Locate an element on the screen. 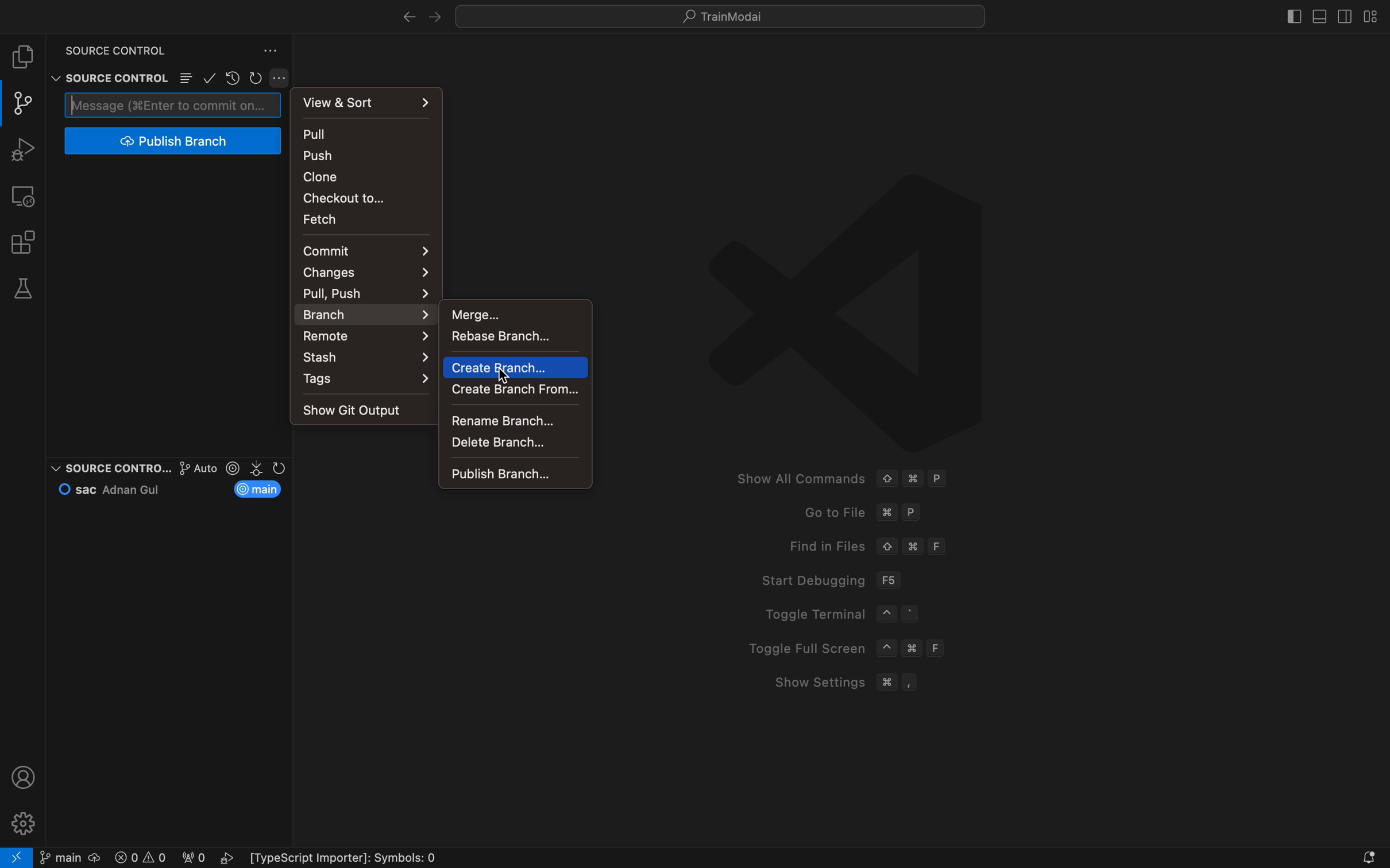 Image resolution: width=1390 pixels, height=868 pixels. git panel is located at coordinates (23, 103).